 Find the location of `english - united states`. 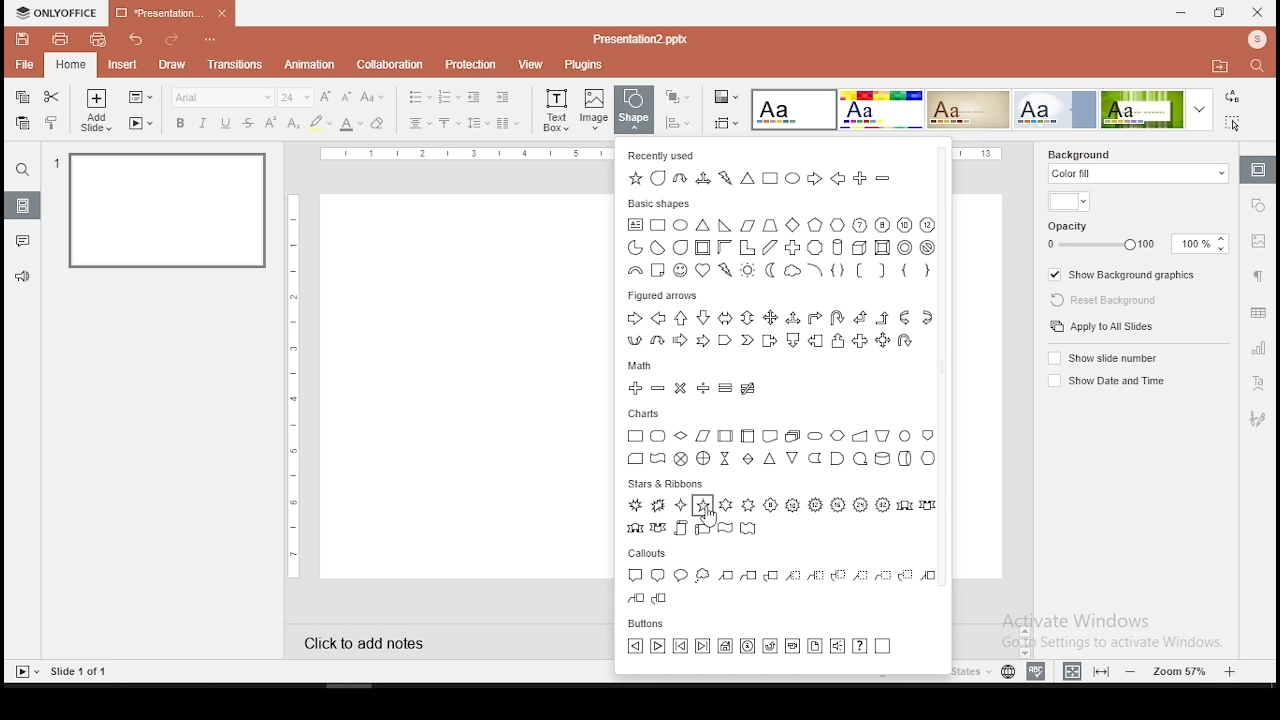

english - united states is located at coordinates (927, 674).